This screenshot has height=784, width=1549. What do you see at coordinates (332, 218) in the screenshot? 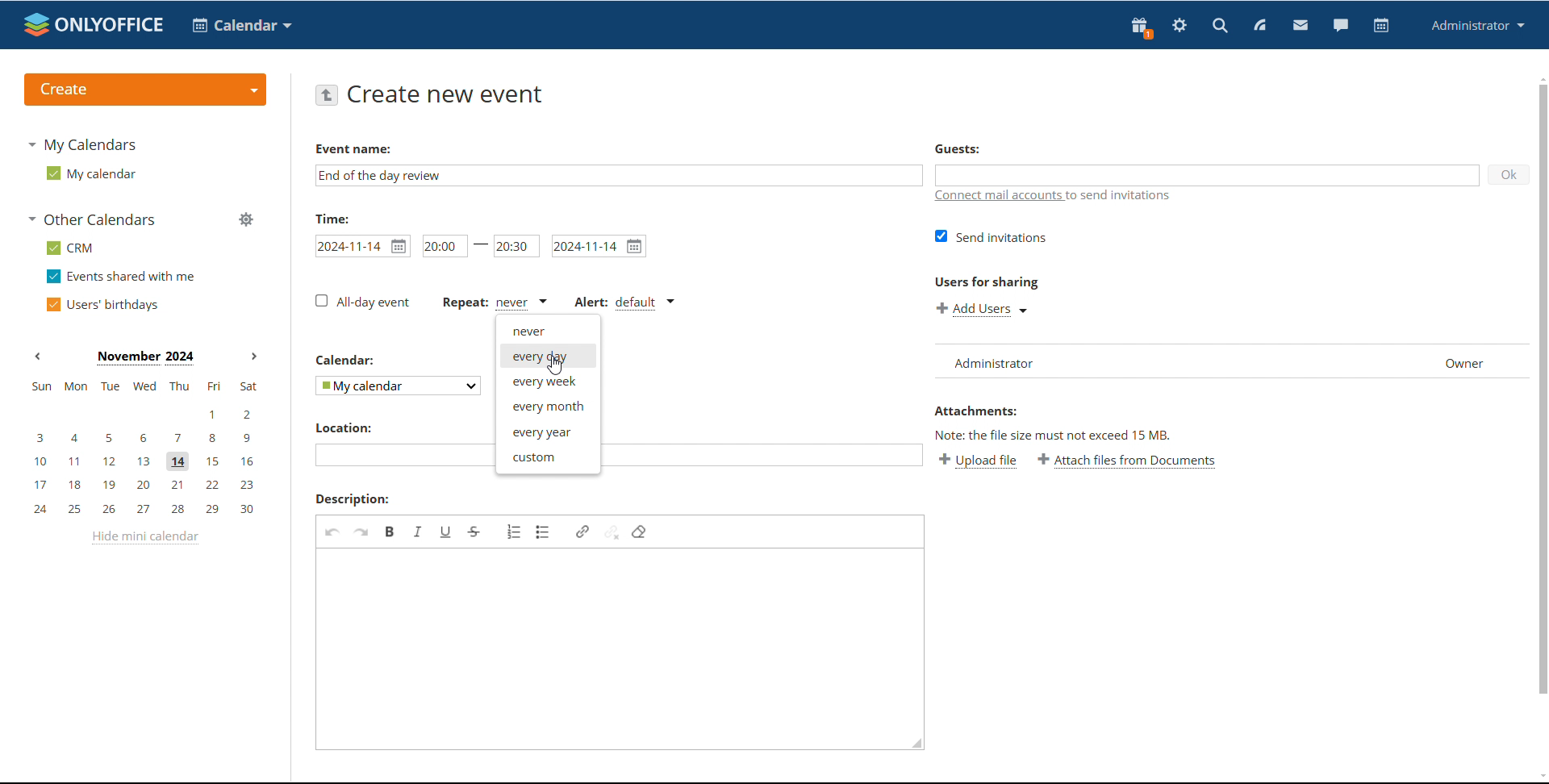
I see `time` at bounding box center [332, 218].